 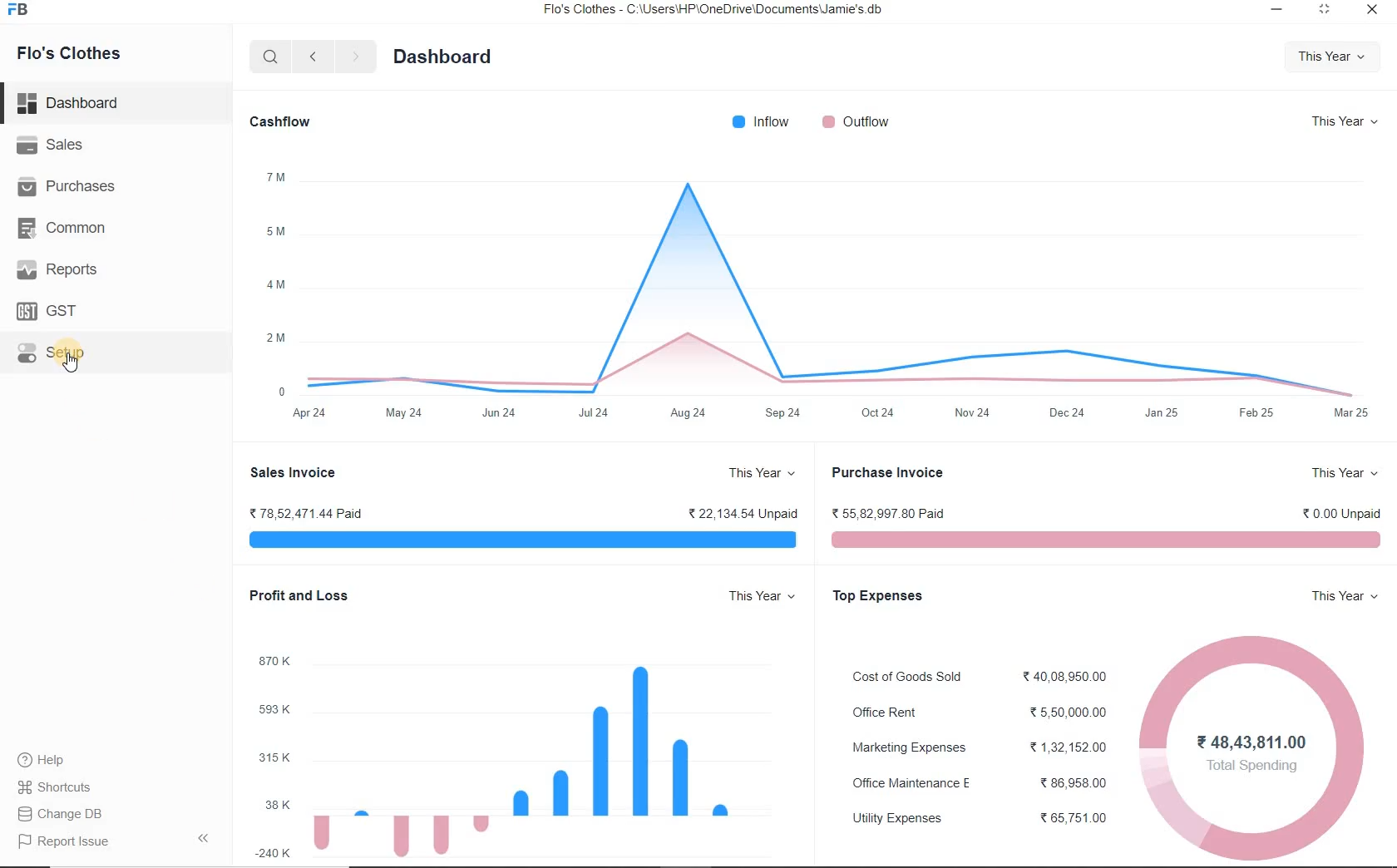 I want to click on apr 24, so click(x=311, y=414).